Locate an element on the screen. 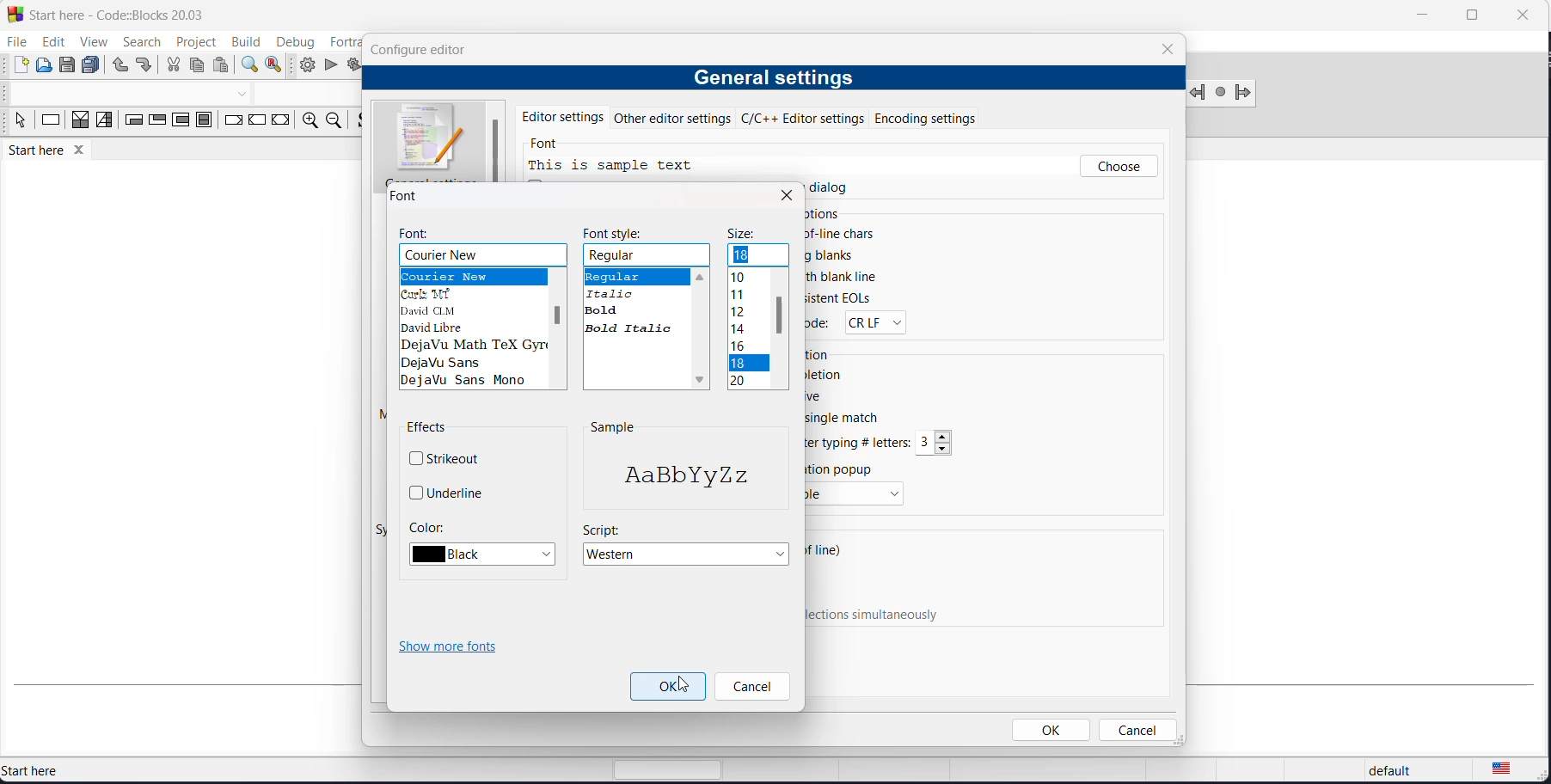 The image size is (1551, 784). cancel is located at coordinates (1136, 730).